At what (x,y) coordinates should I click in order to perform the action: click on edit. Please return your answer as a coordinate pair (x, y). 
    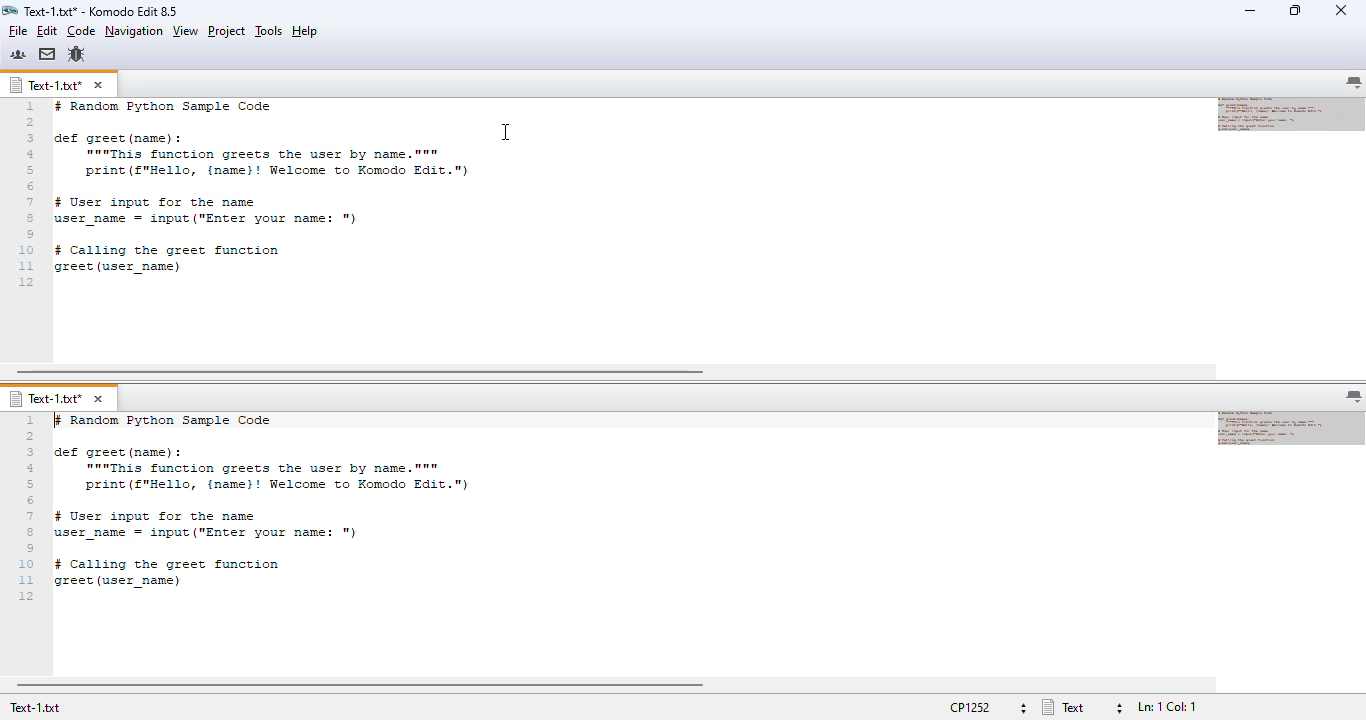
    Looking at the image, I should click on (48, 30).